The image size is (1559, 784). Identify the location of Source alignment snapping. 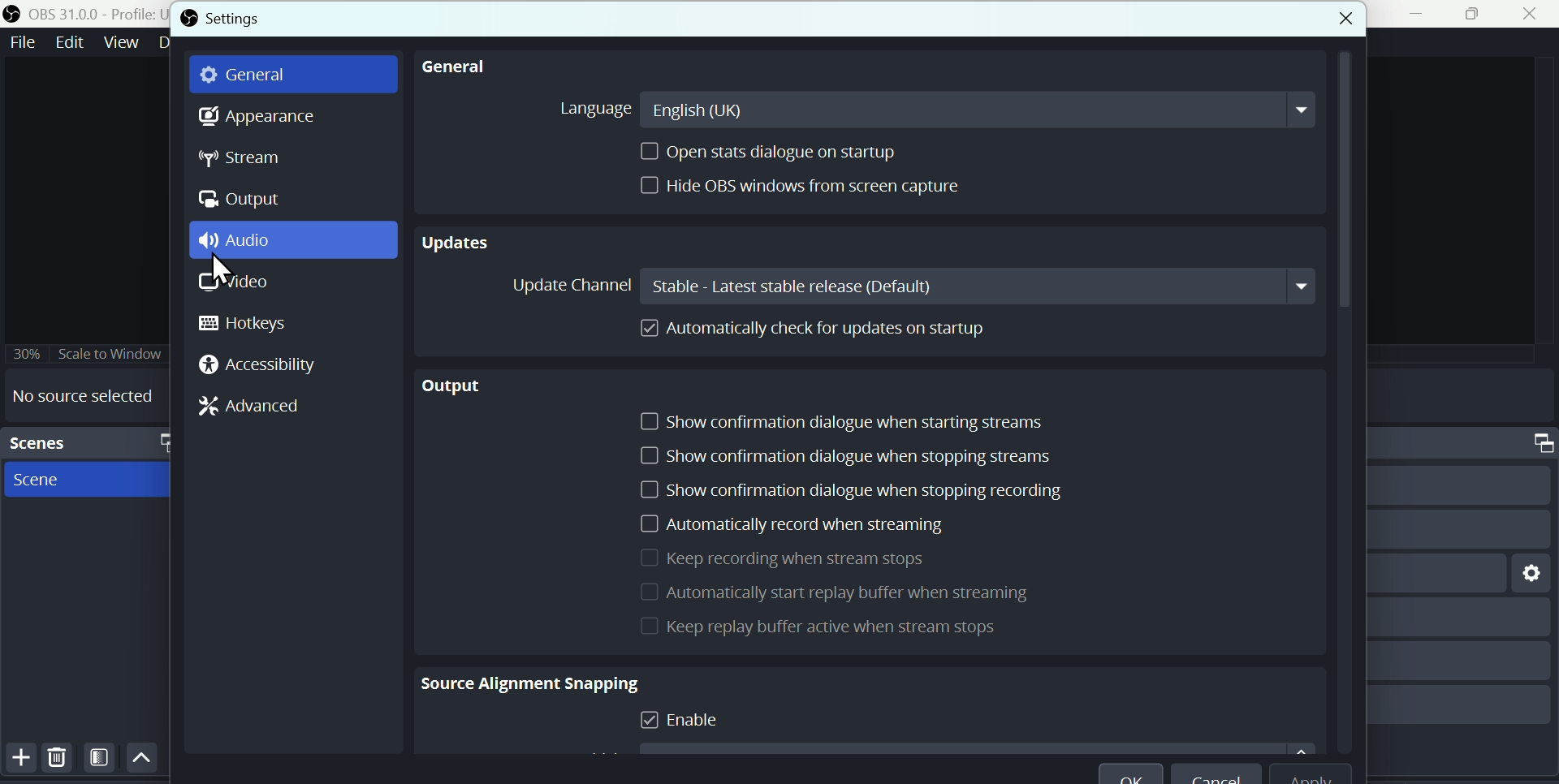
(537, 682).